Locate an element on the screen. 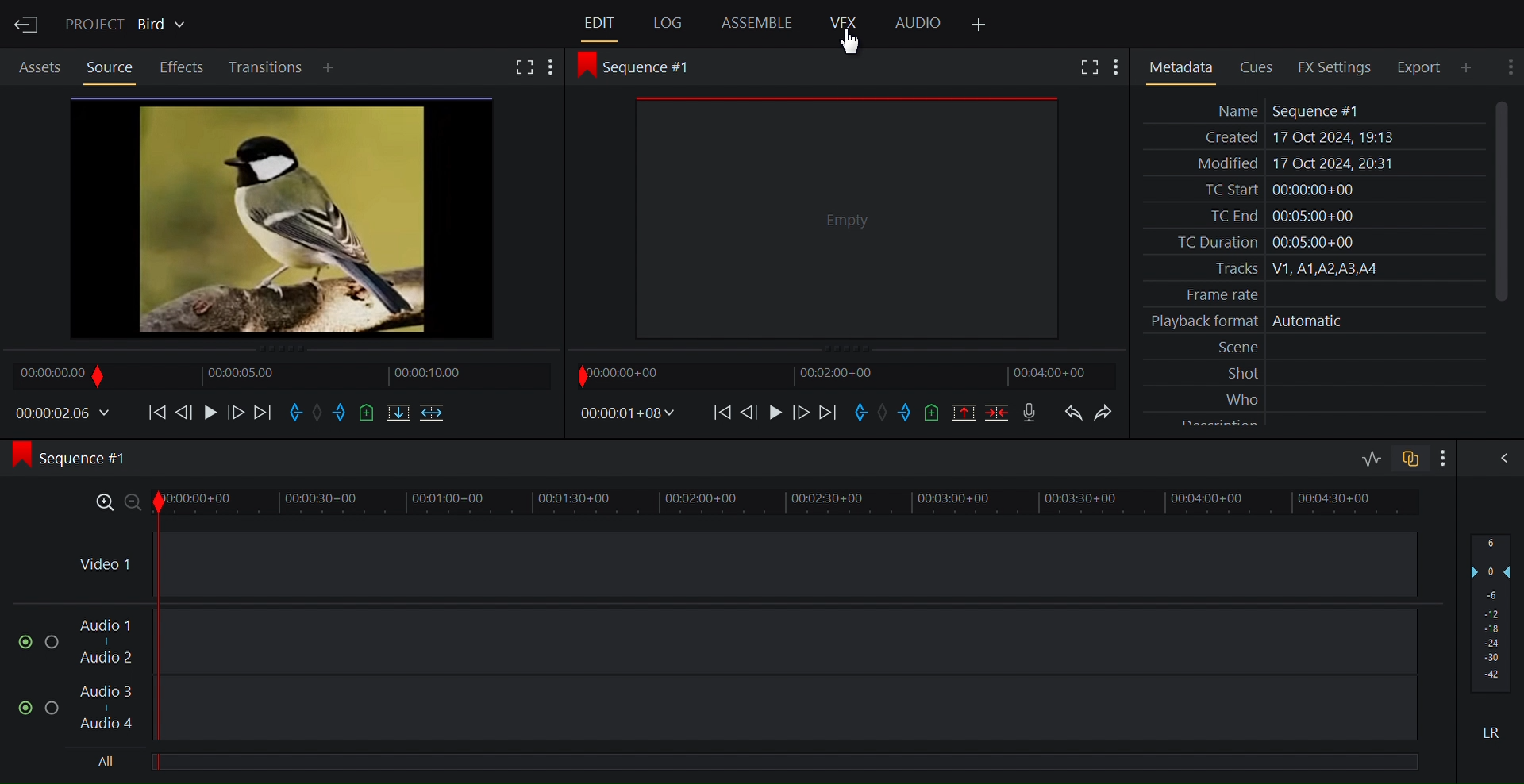 This screenshot has width=1524, height=784. Metadata Panel is located at coordinates (1289, 263).